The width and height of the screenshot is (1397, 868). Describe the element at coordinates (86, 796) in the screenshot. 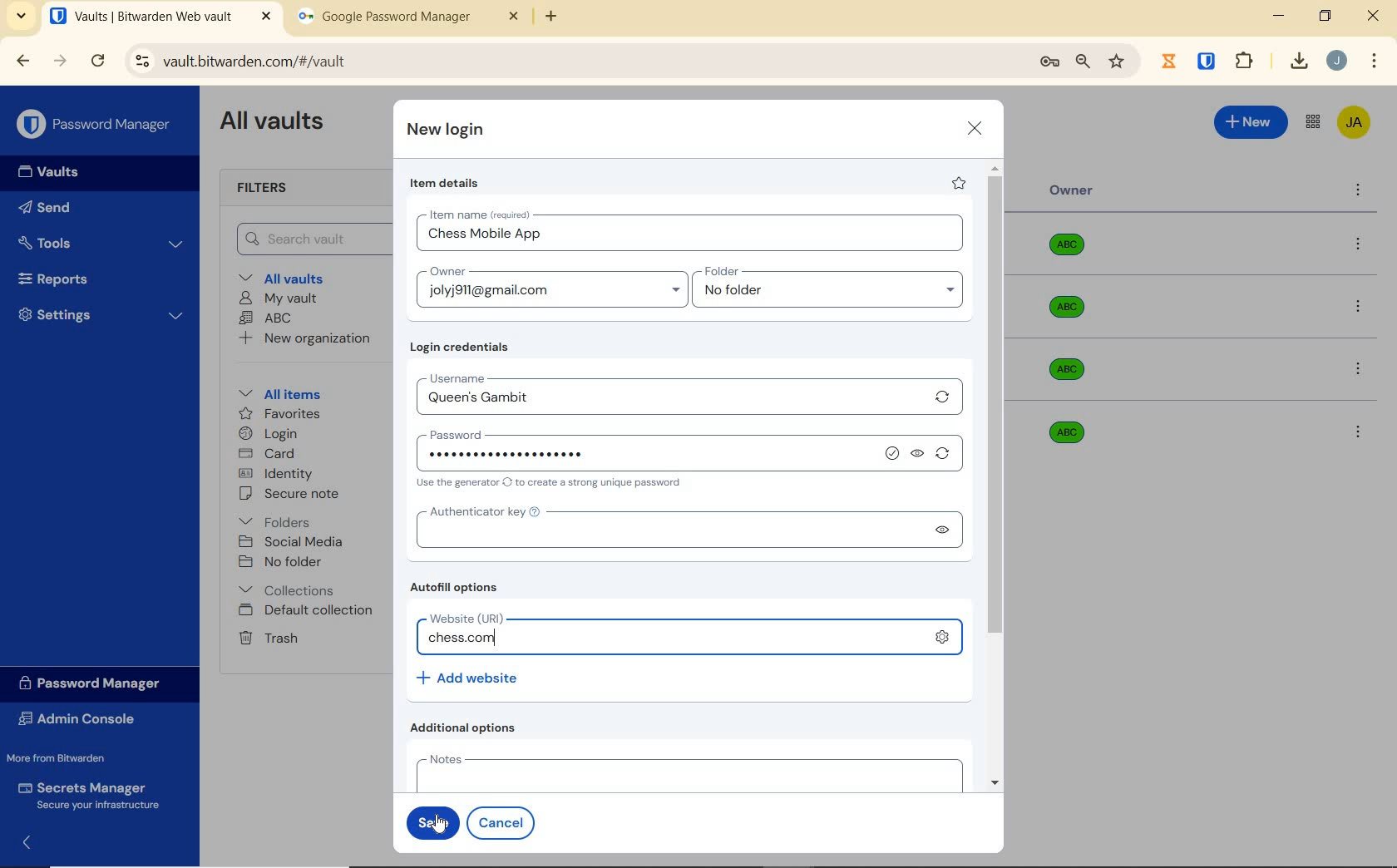

I see `Secrets Manager` at that location.